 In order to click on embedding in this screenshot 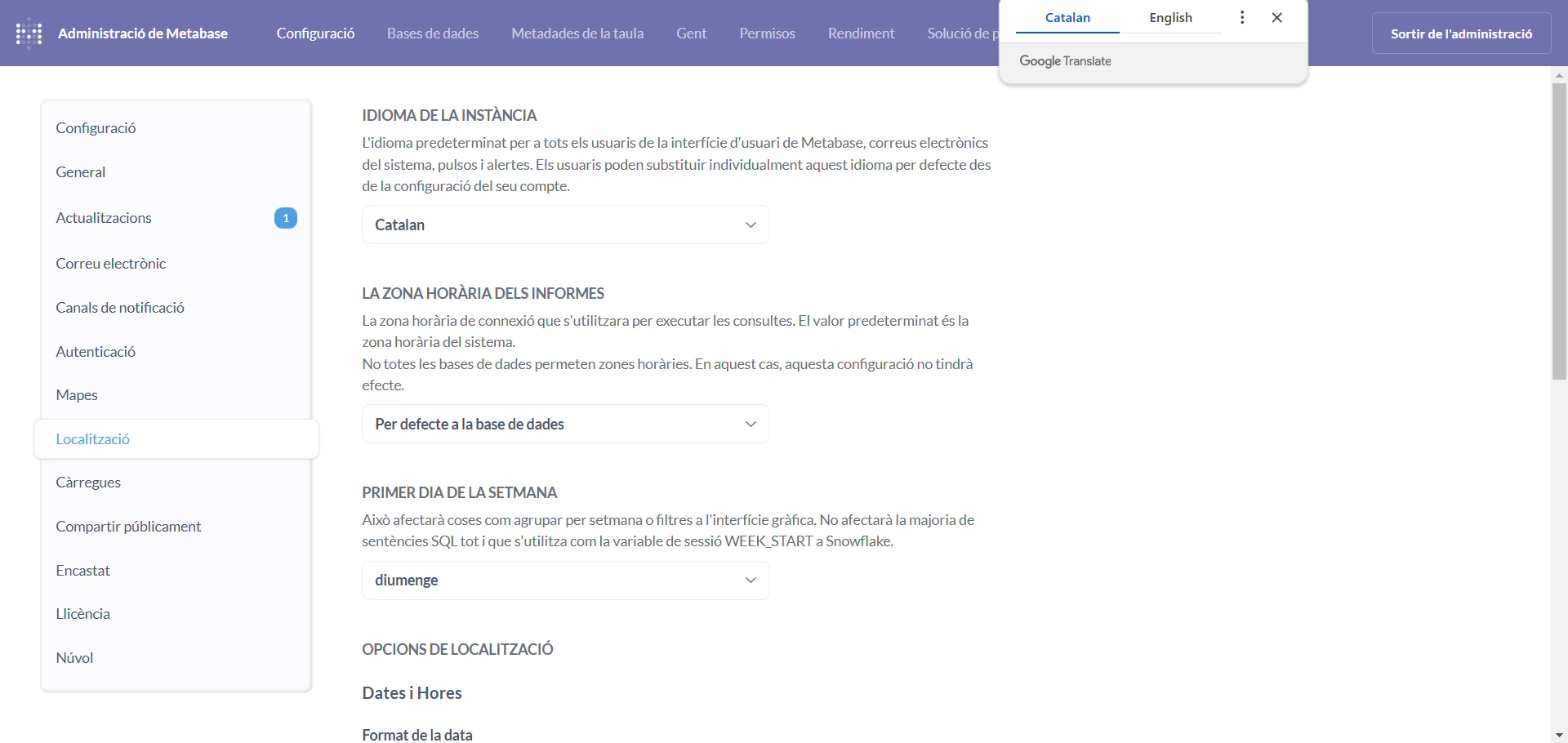, I will do `click(166, 572)`.